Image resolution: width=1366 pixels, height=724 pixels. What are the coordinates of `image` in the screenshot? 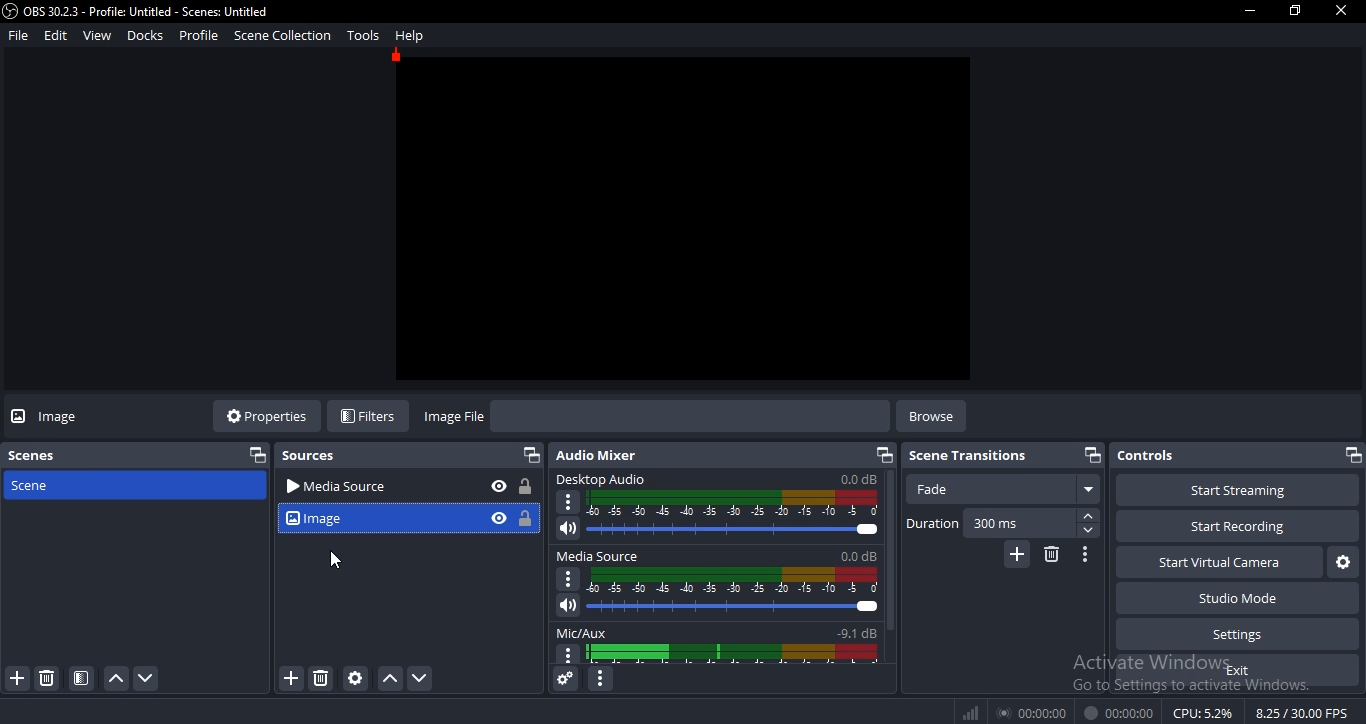 It's located at (67, 420).